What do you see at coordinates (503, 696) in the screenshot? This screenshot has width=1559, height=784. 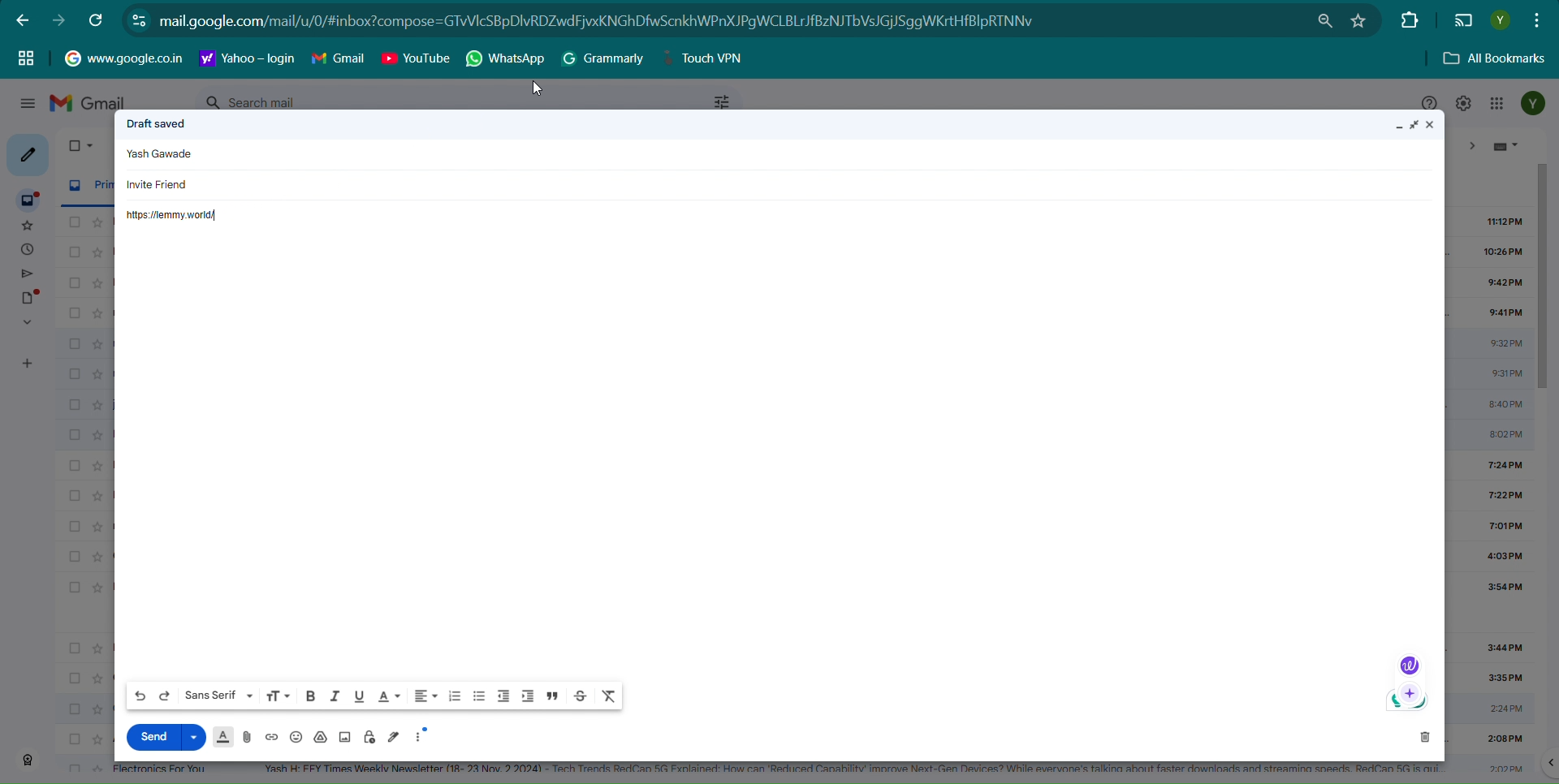 I see `Indent less` at bounding box center [503, 696].